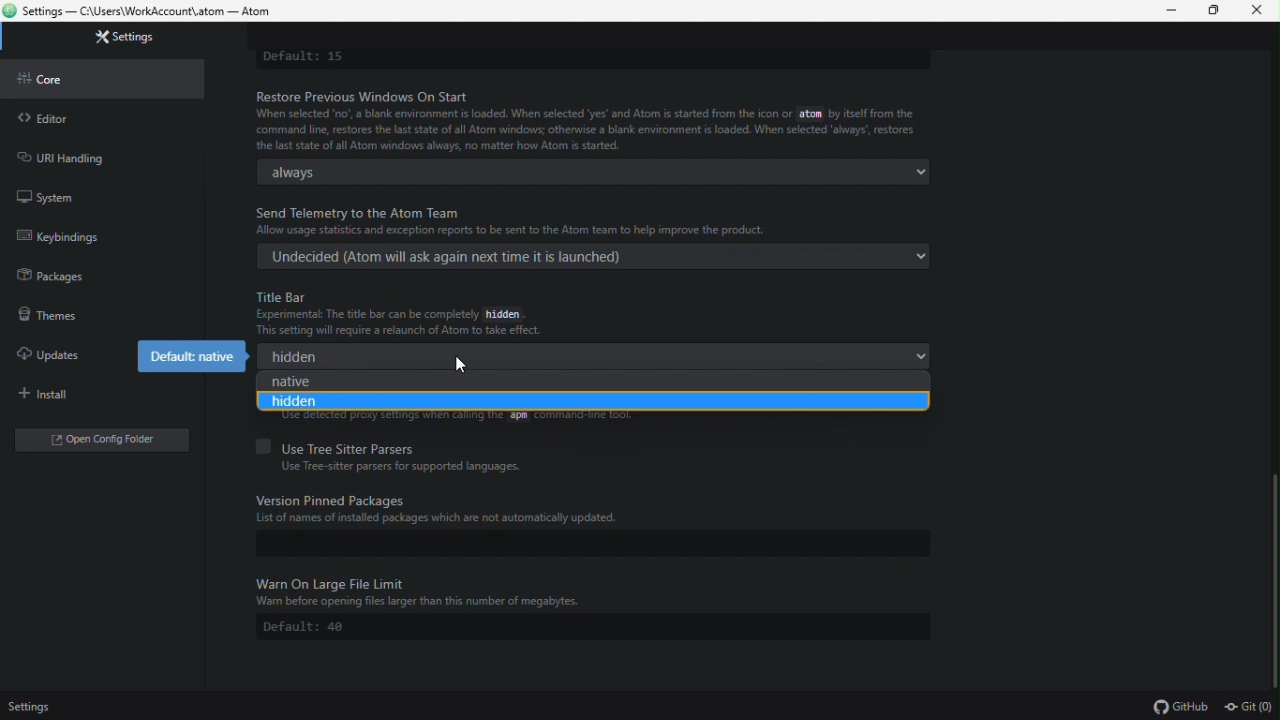  Describe the element at coordinates (595, 257) in the screenshot. I see `Undecided (Atom will ask again next time it is launched)` at that location.